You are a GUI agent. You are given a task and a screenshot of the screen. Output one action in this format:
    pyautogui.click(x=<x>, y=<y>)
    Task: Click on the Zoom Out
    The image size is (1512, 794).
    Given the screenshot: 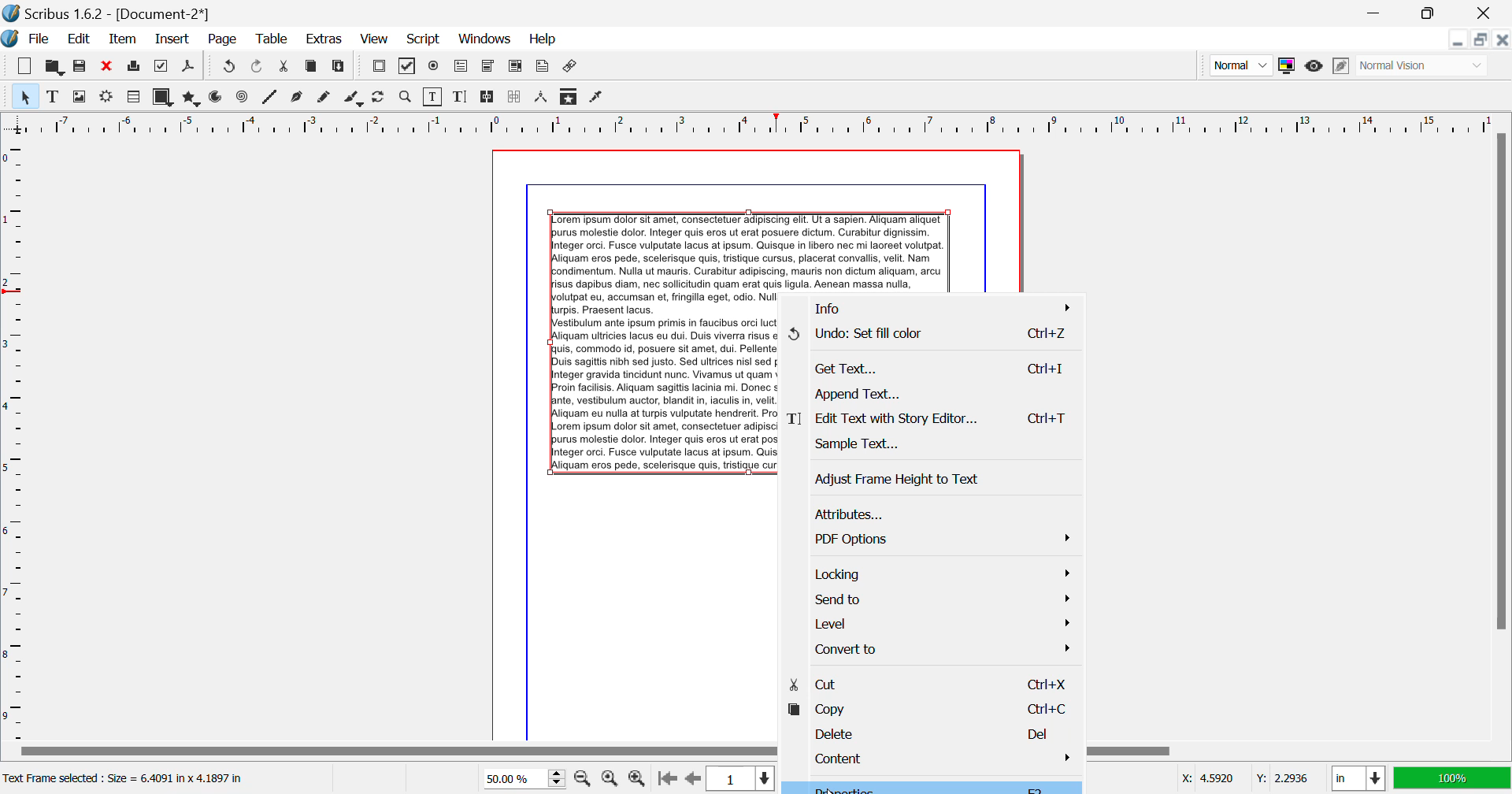 What is the action you would take?
    pyautogui.click(x=584, y=777)
    